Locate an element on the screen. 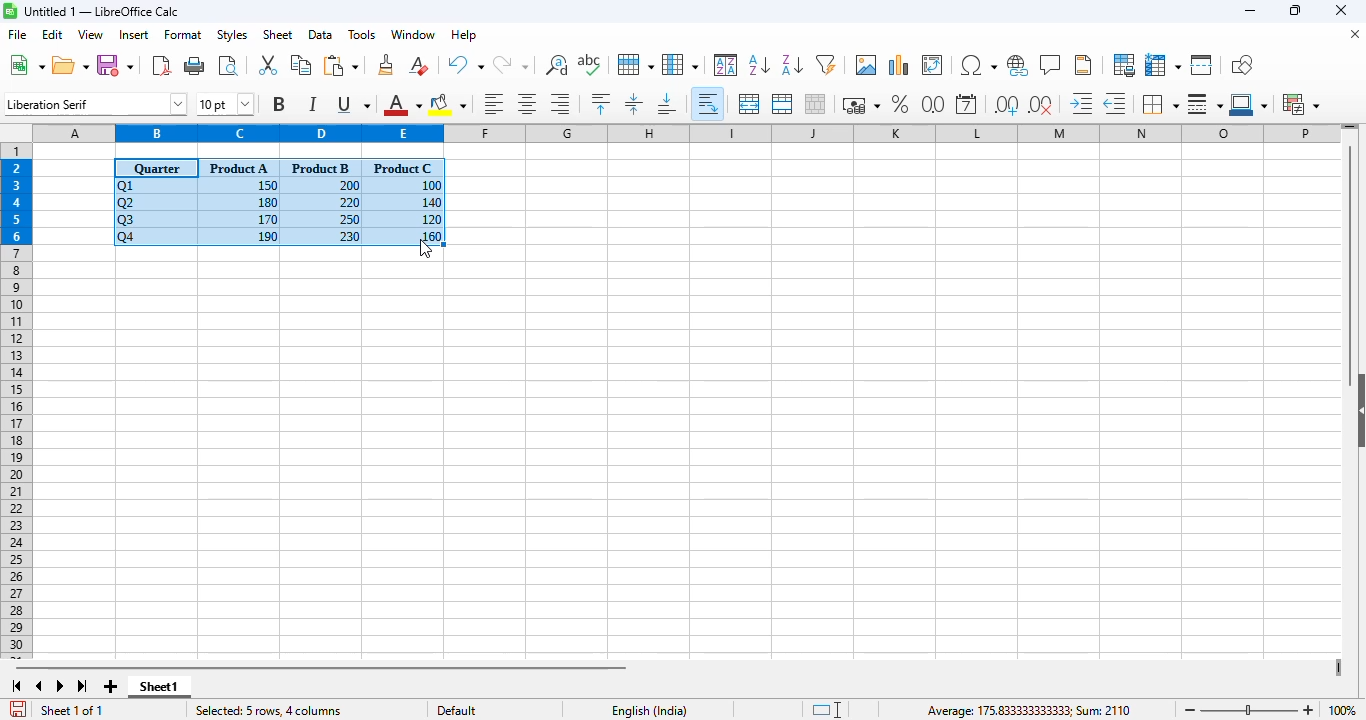 The width and height of the screenshot is (1366, 720). border color is located at coordinates (1251, 104).